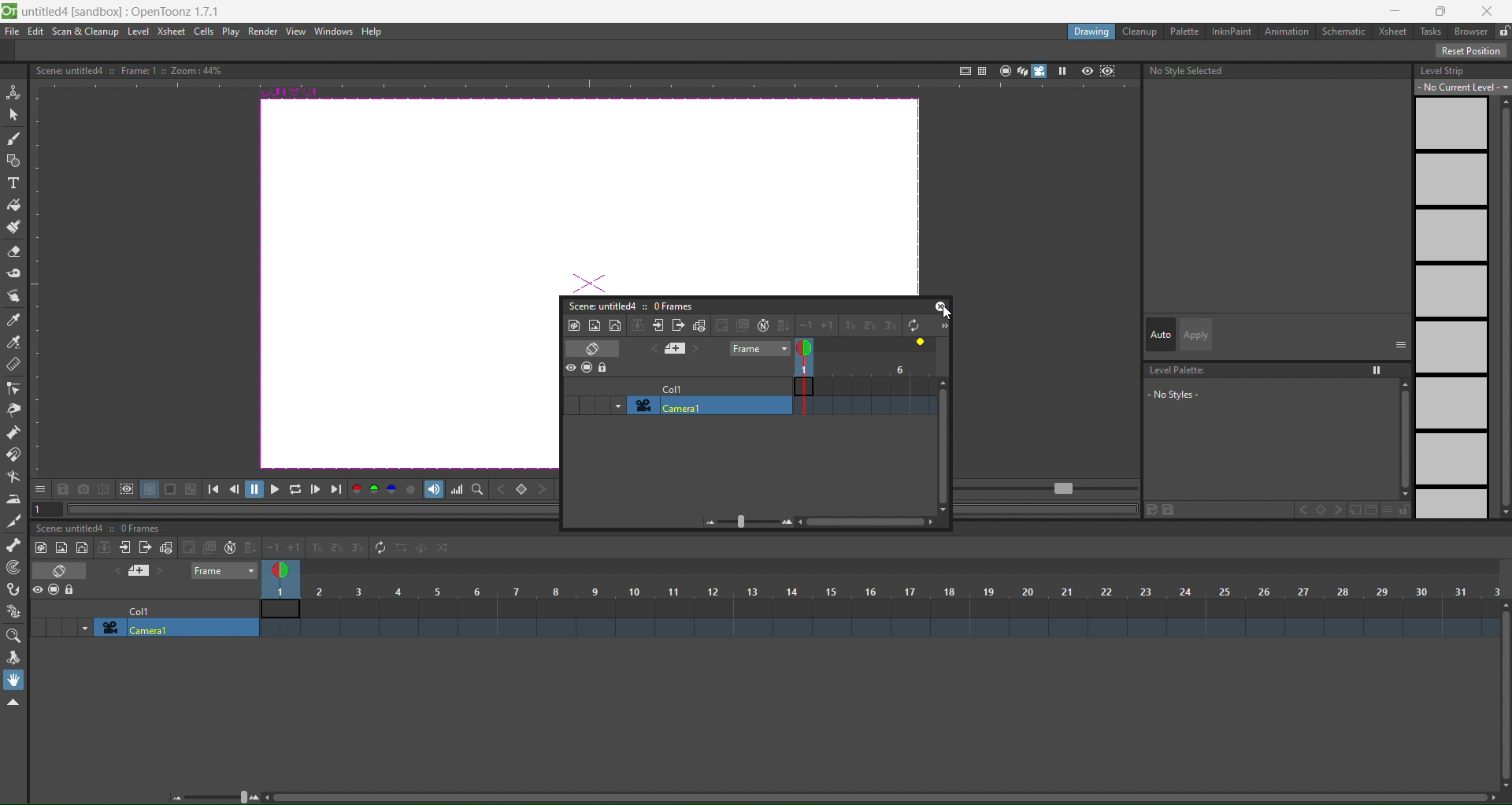 This screenshot has height=805, width=1512. Describe the element at coordinates (413, 491) in the screenshot. I see `channel` at that location.